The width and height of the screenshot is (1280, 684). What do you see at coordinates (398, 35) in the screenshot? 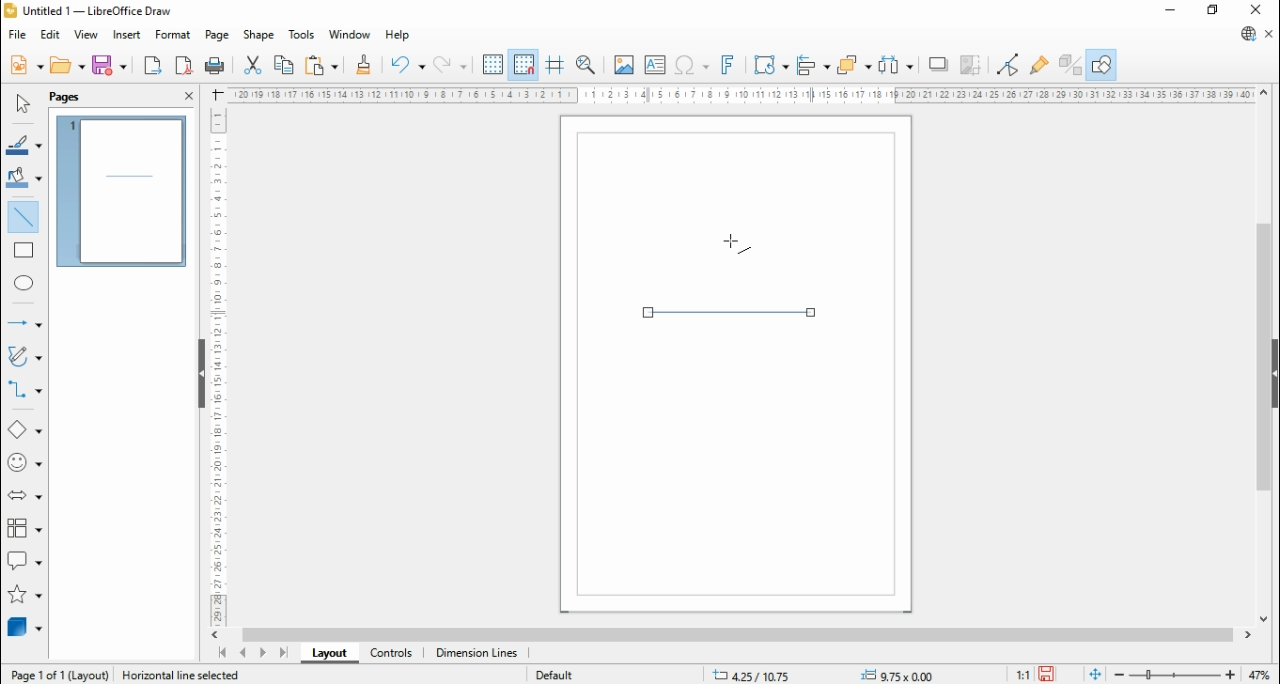
I see `help` at bounding box center [398, 35].